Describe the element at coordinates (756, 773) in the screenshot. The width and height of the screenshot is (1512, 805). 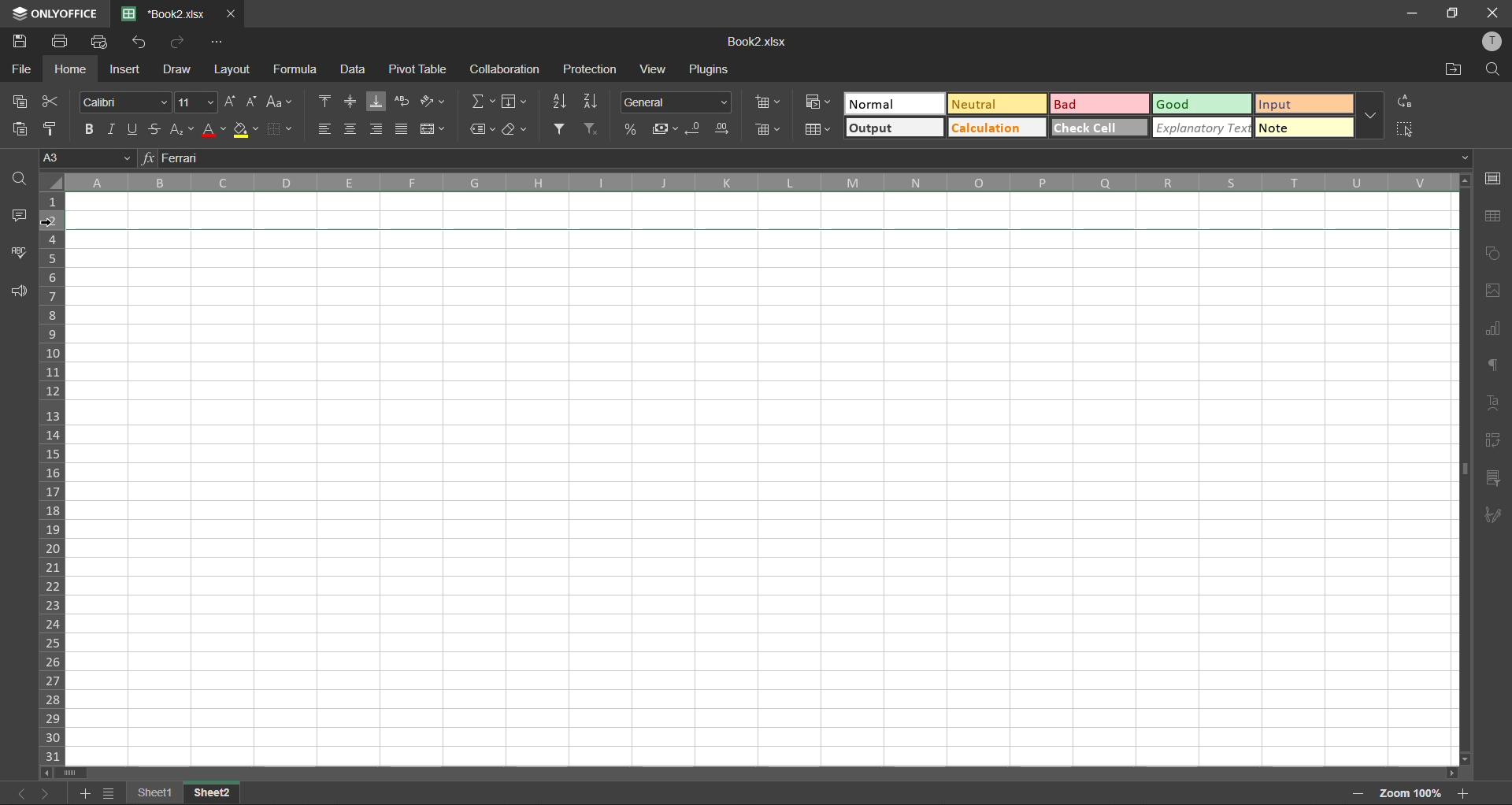
I see `scroll bar` at that location.